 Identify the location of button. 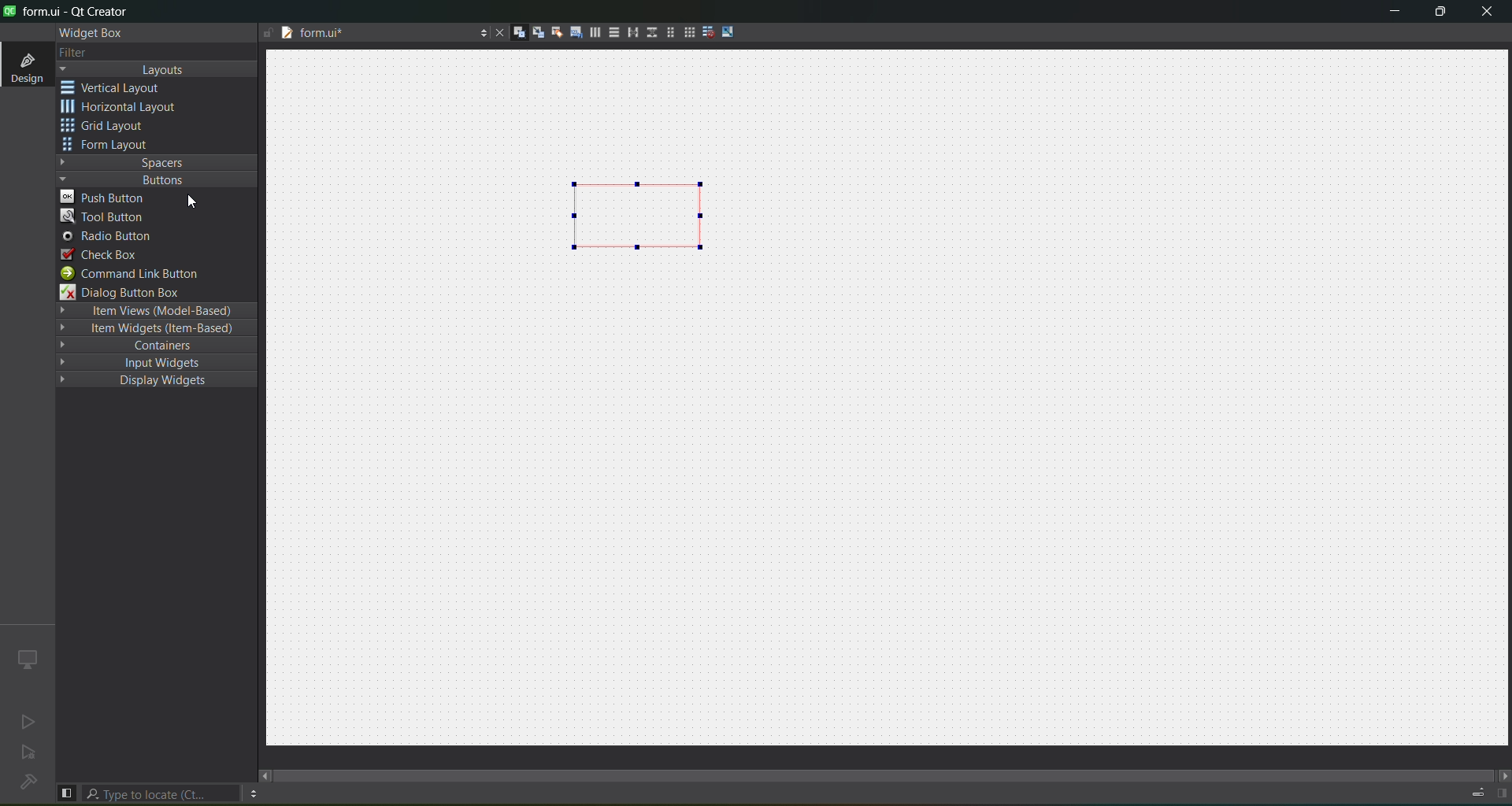
(154, 179).